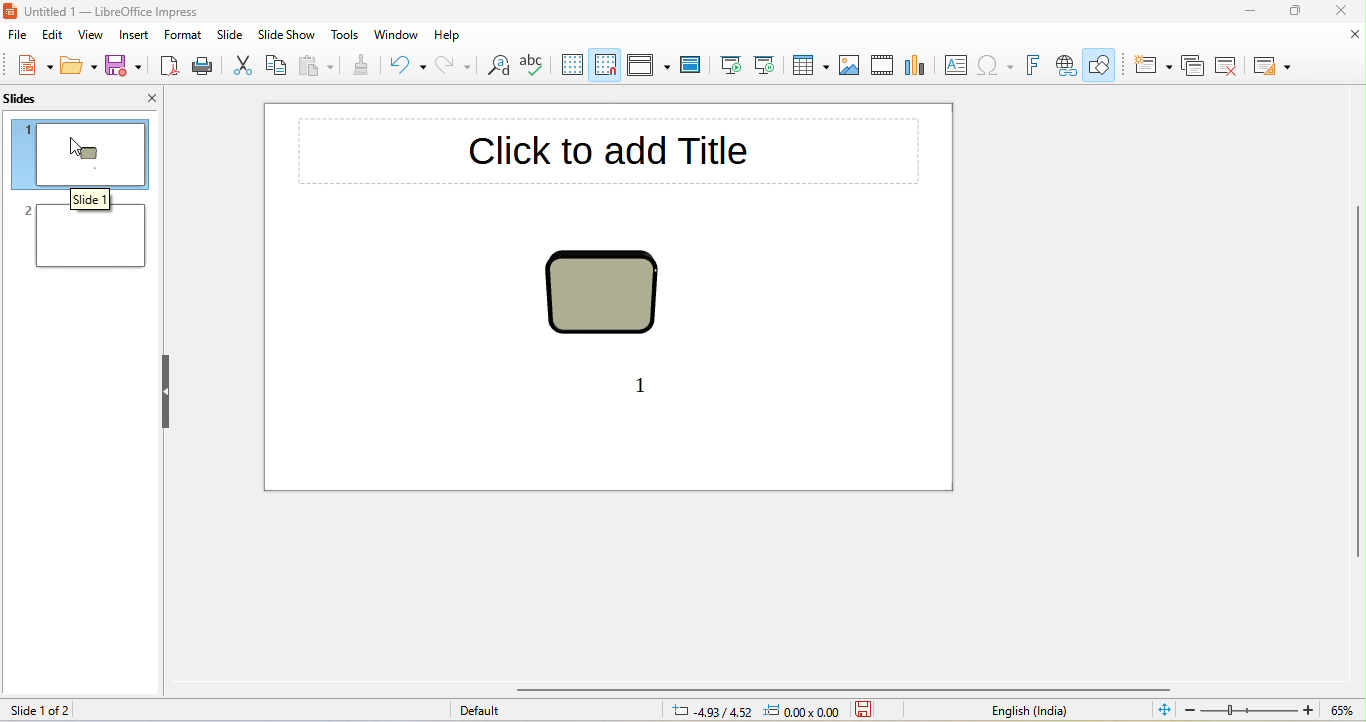  Describe the element at coordinates (916, 64) in the screenshot. I see `chat` at that location.